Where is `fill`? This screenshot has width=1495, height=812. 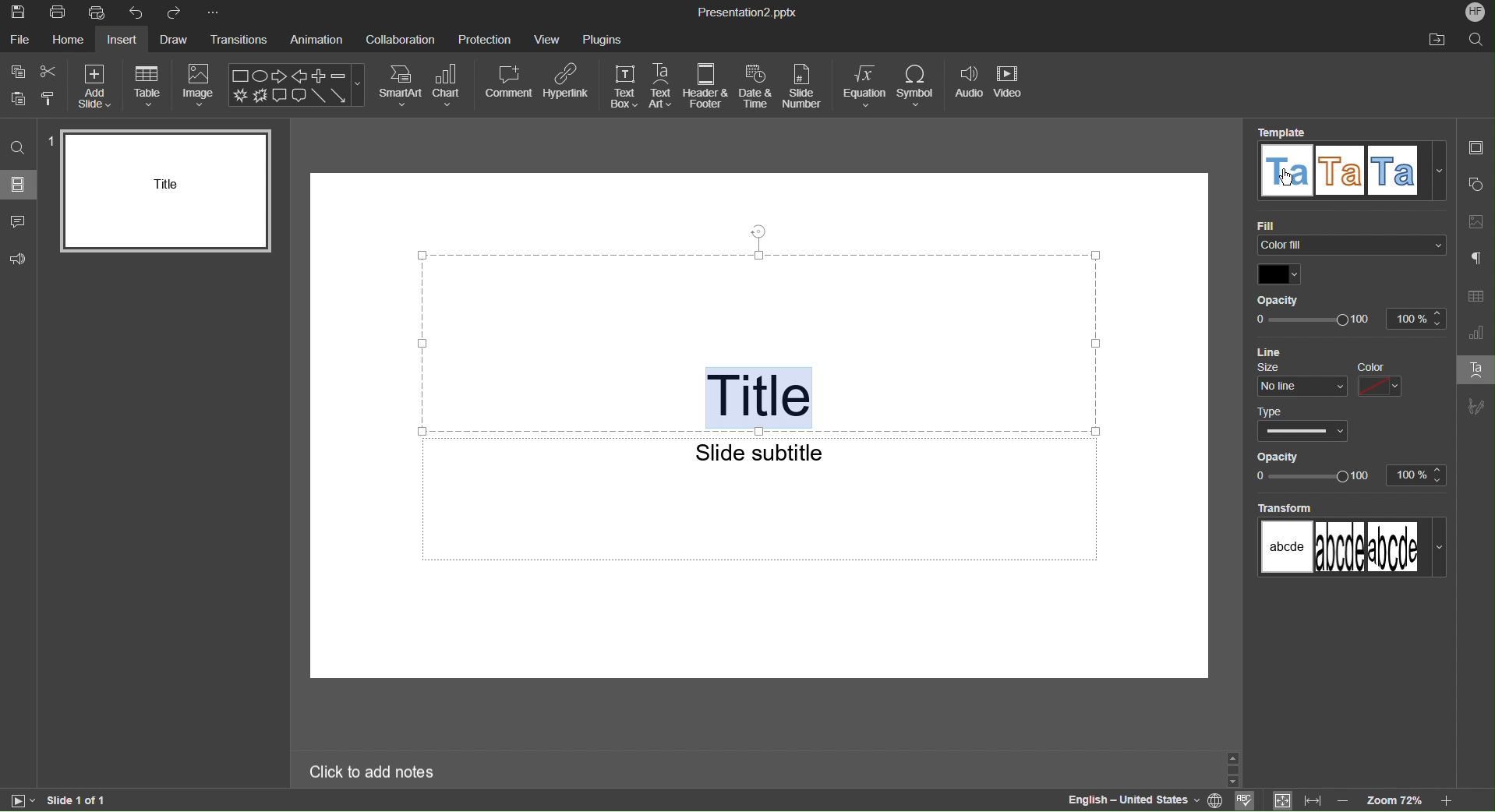 fill is located at coordinates (1348, 238).